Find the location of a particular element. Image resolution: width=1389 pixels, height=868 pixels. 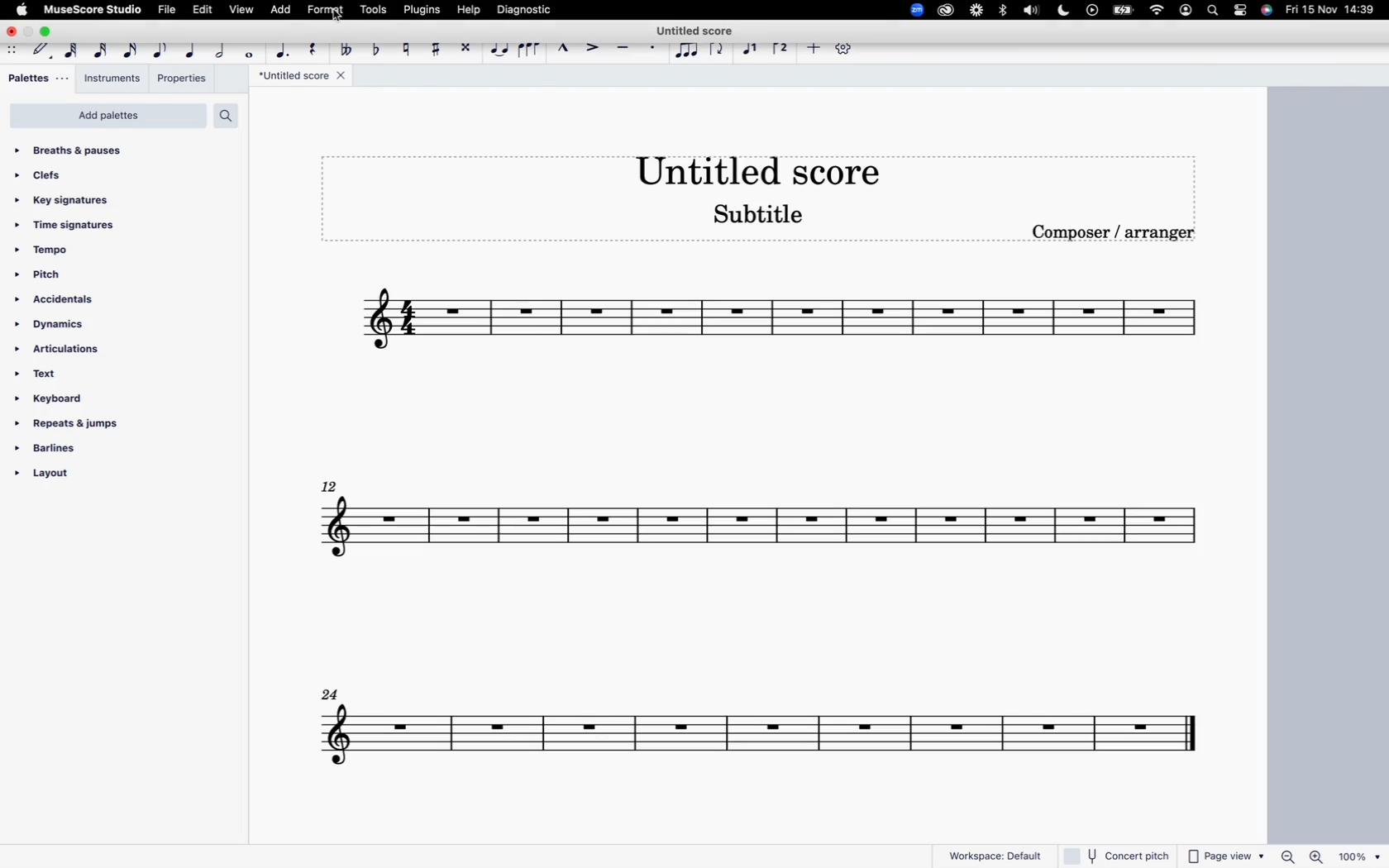

more is located at coordinates (815, 48).